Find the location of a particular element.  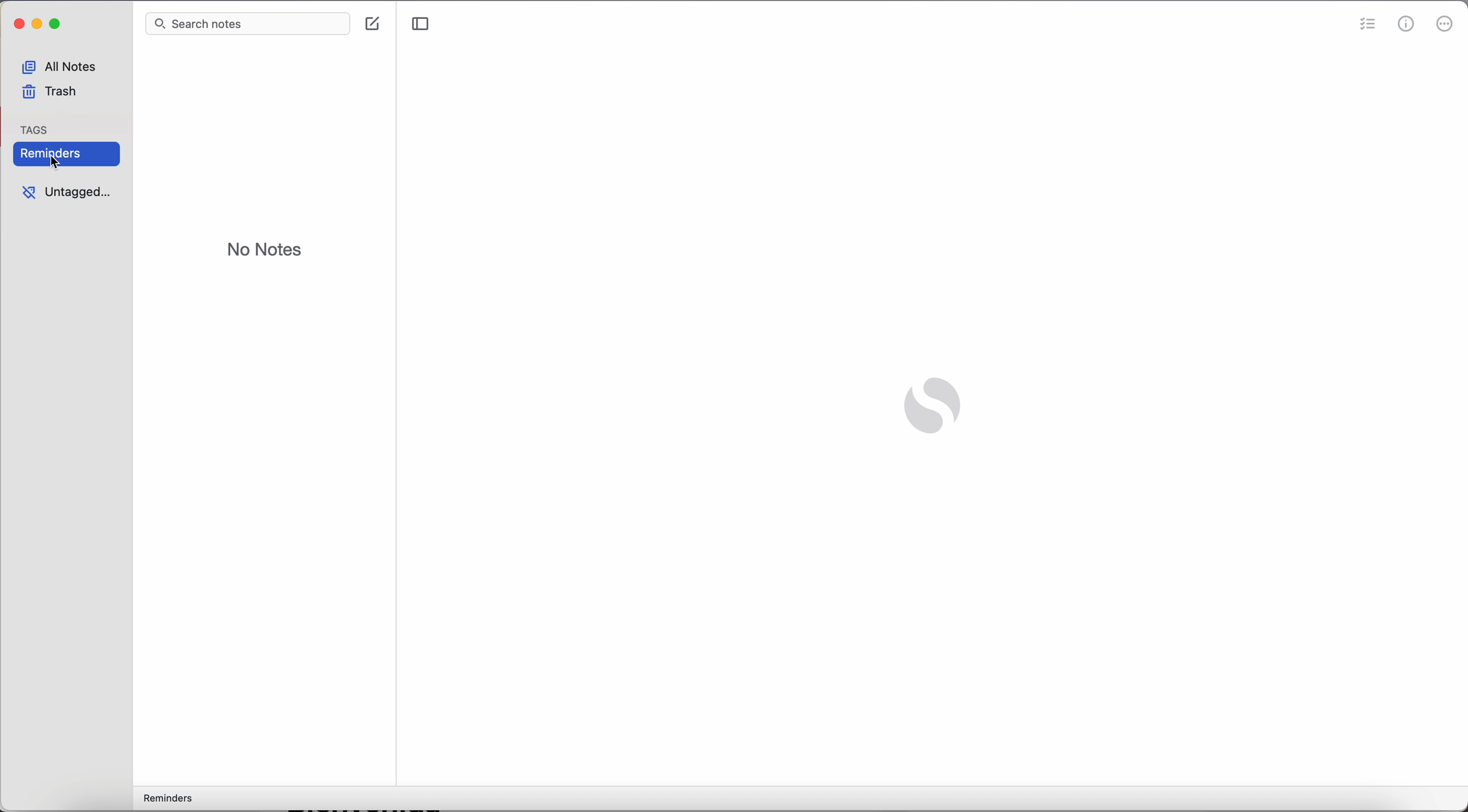

trash is located at coordinates (50, 94).